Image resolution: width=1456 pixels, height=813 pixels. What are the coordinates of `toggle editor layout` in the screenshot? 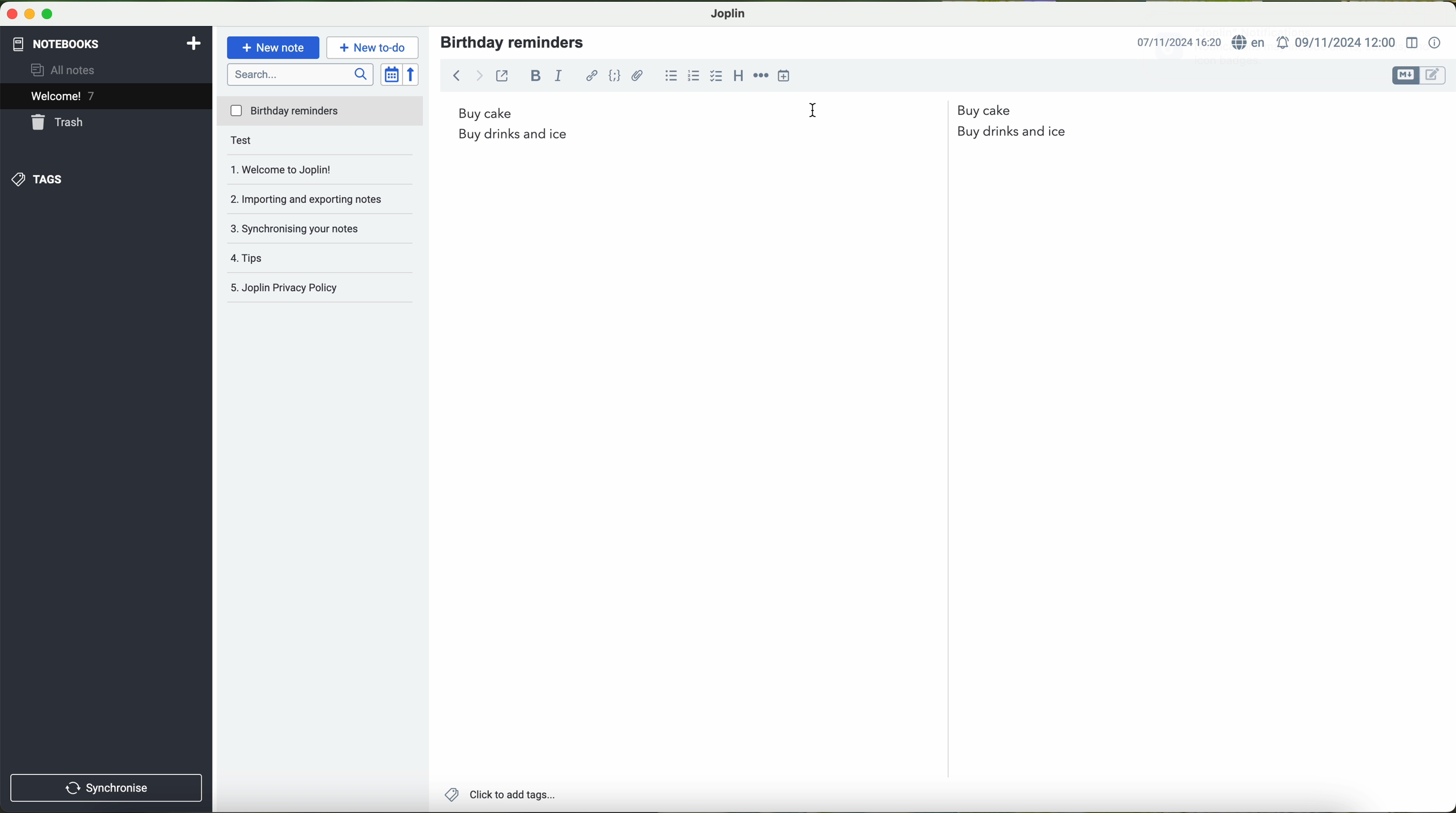 It's located at (1409, 41).